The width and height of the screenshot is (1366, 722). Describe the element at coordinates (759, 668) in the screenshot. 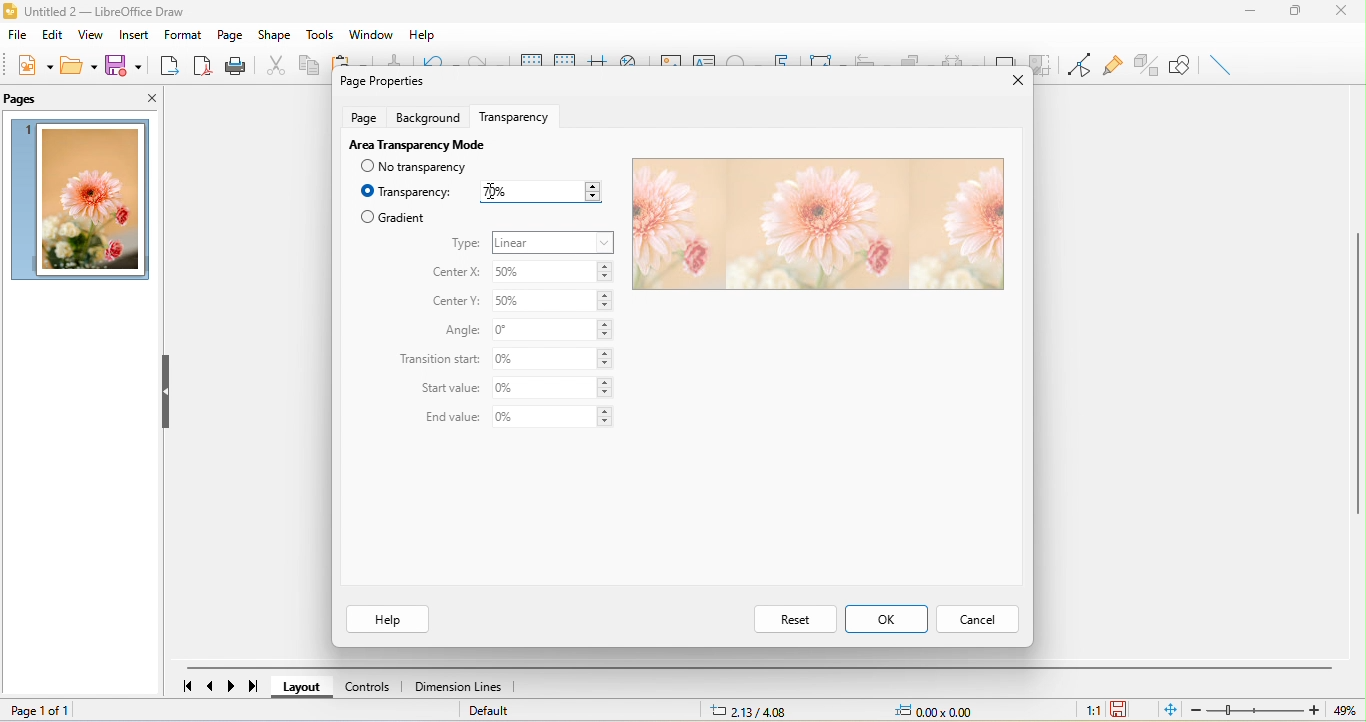

I see `horizontal scroll bar` at that location.